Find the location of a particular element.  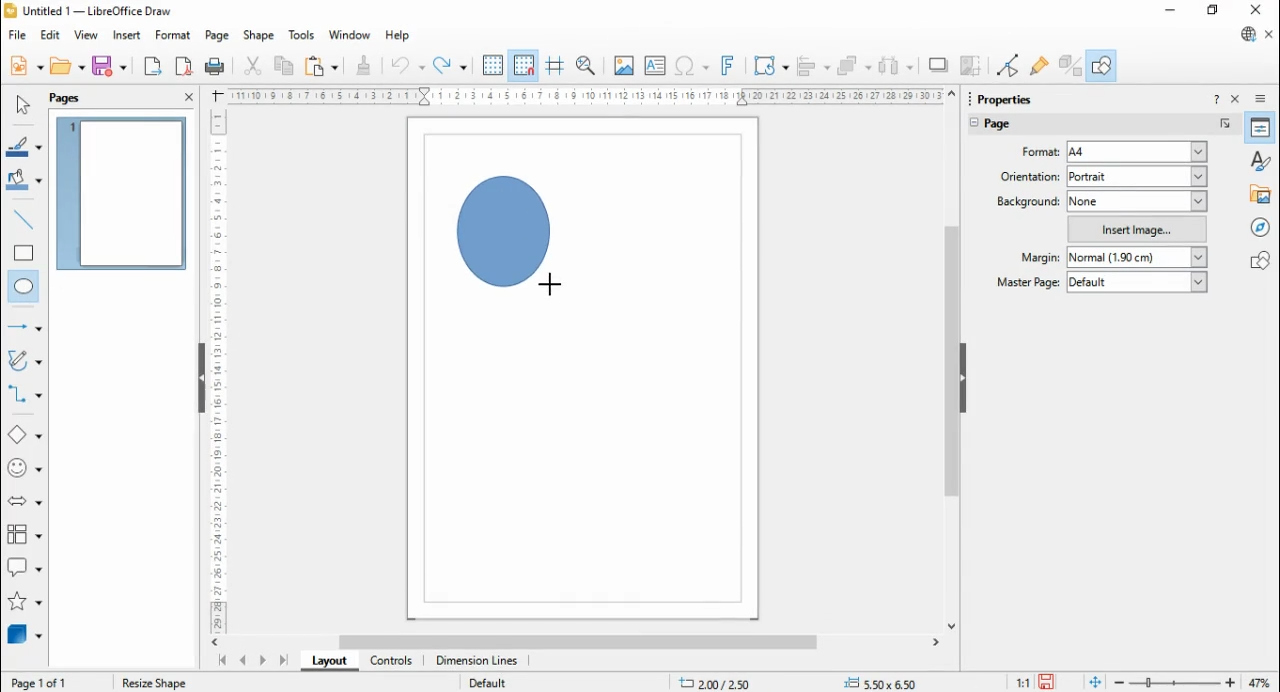

Hide is located at coordinates (201, 380).